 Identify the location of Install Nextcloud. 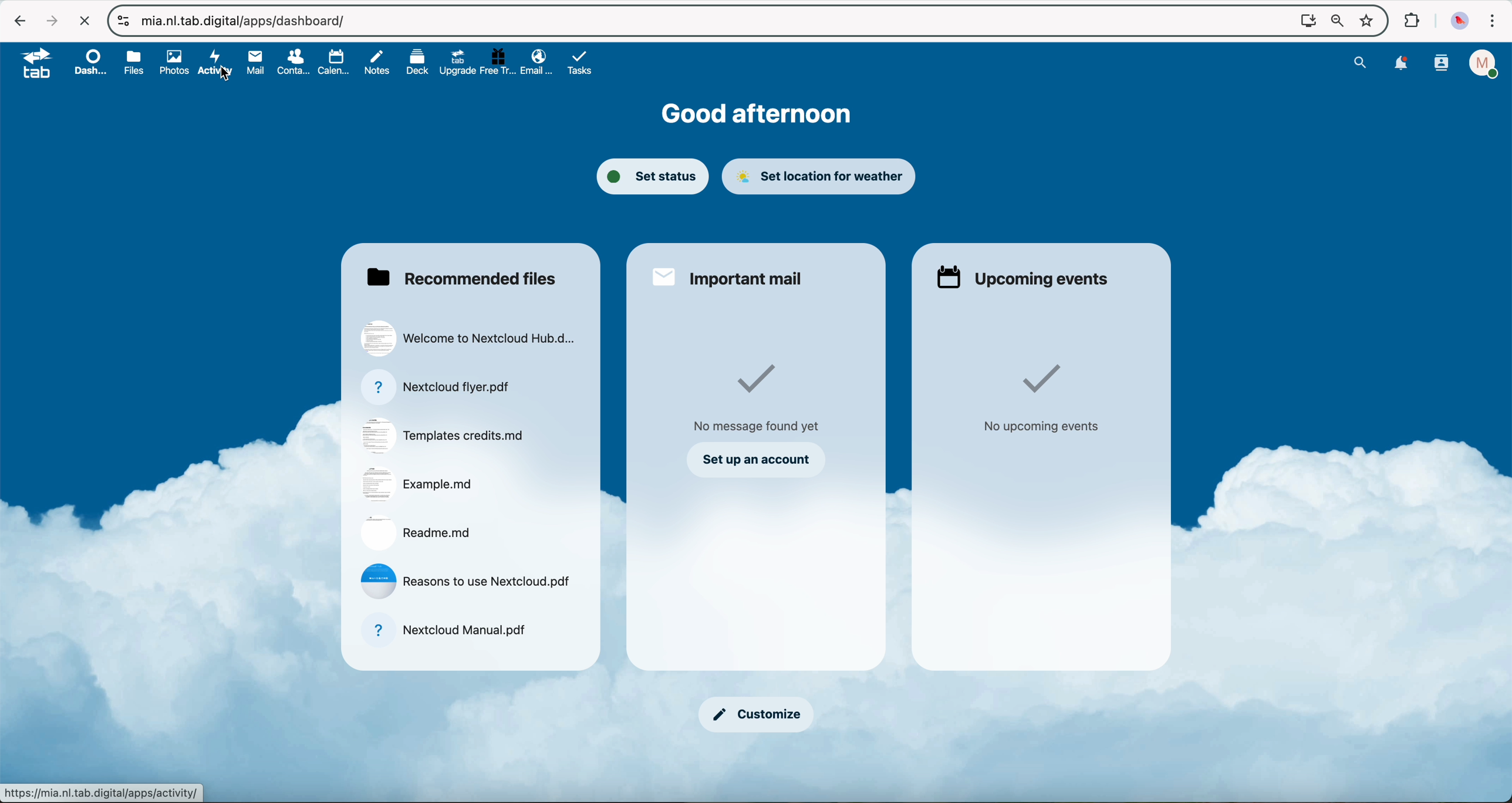
(1306, 22).